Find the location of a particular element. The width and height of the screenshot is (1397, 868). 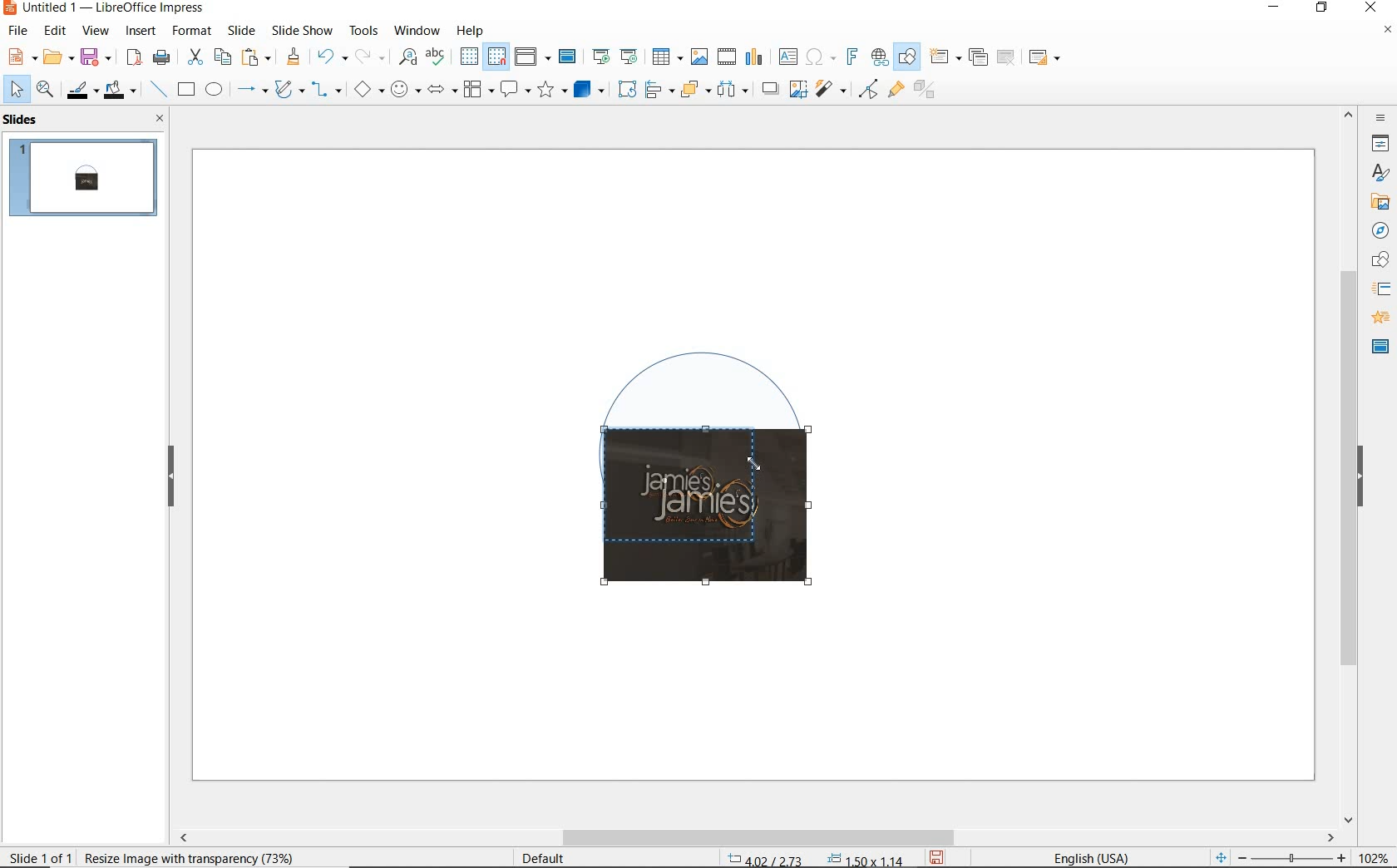

insert chart is located at coordinates (754, 57).